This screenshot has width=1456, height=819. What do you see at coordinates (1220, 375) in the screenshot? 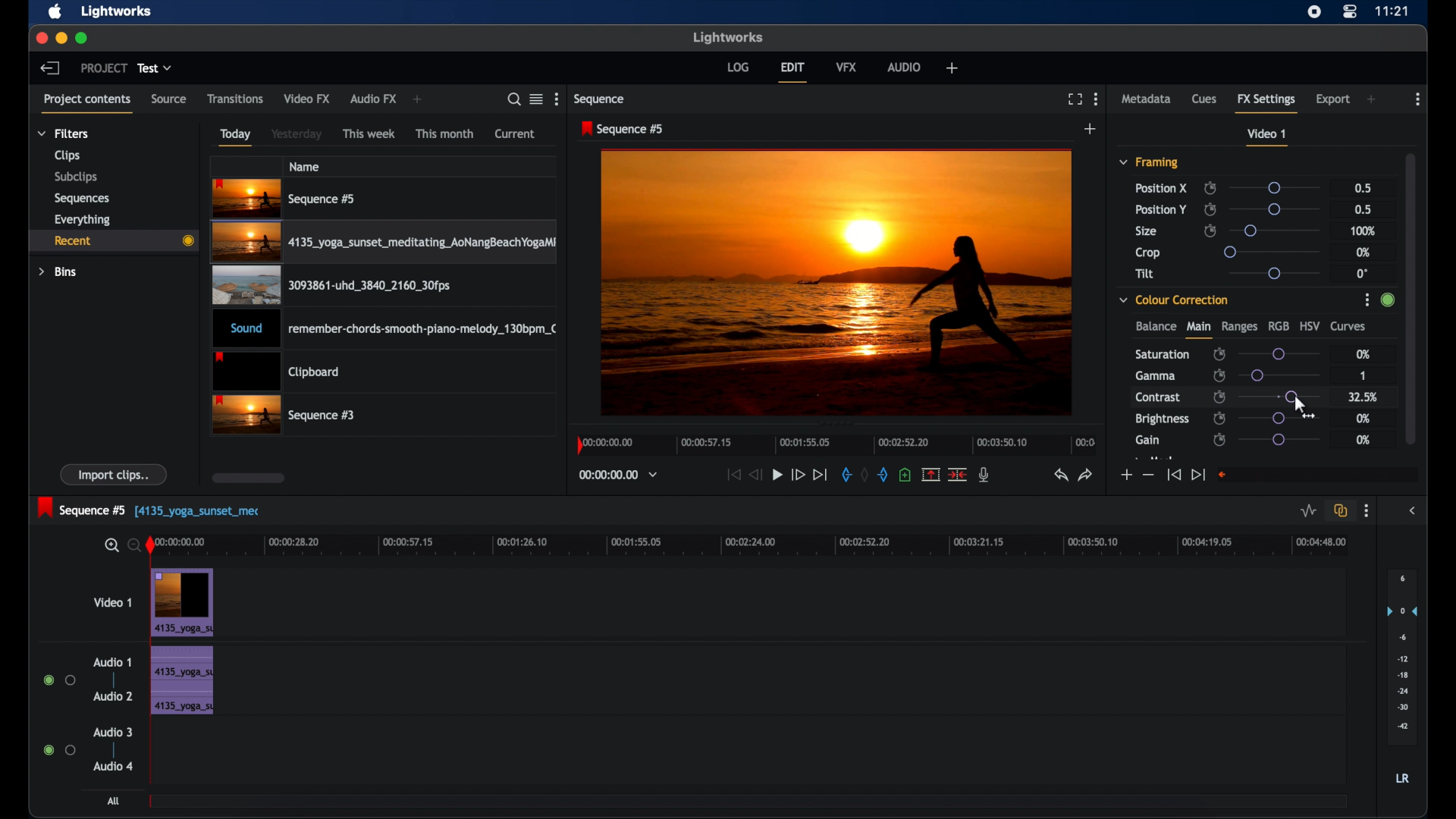
I see `enable/disable keyframes` at bounding box center [1220, 375].